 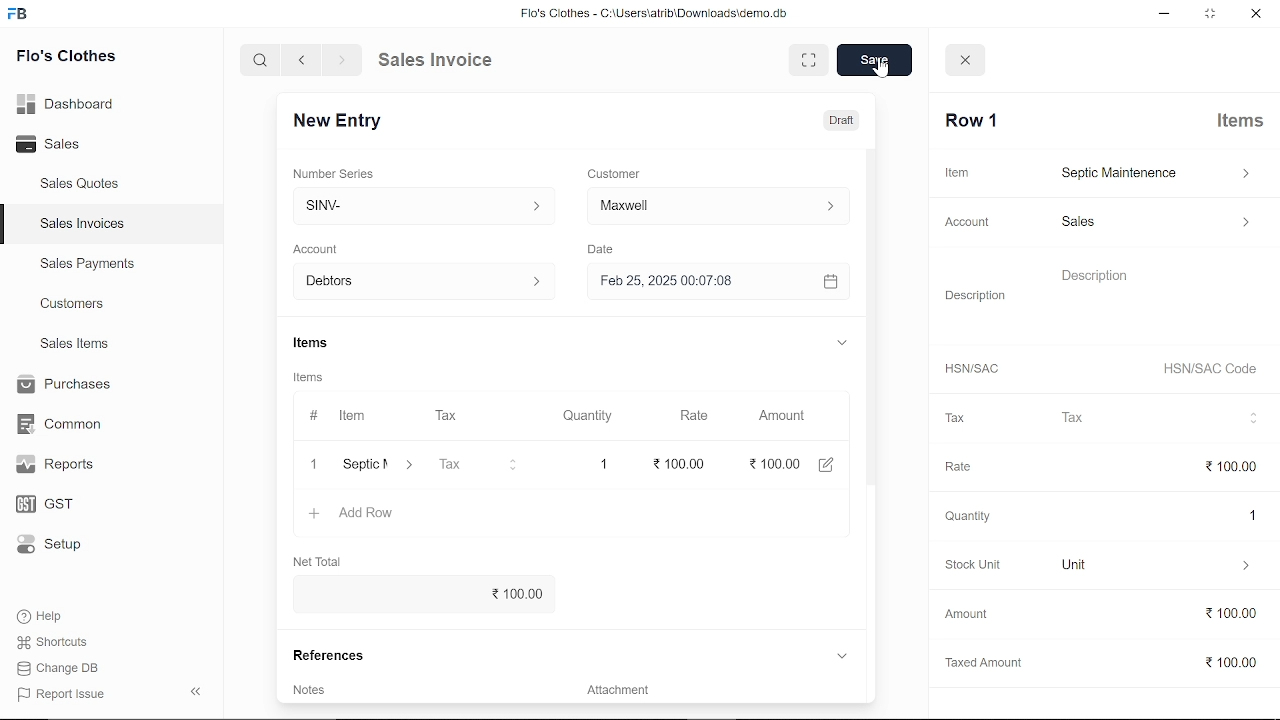 What do you see at coordinates (879, 70) in the screenshot?
I see `cursor` at bounding box center [879, 70].